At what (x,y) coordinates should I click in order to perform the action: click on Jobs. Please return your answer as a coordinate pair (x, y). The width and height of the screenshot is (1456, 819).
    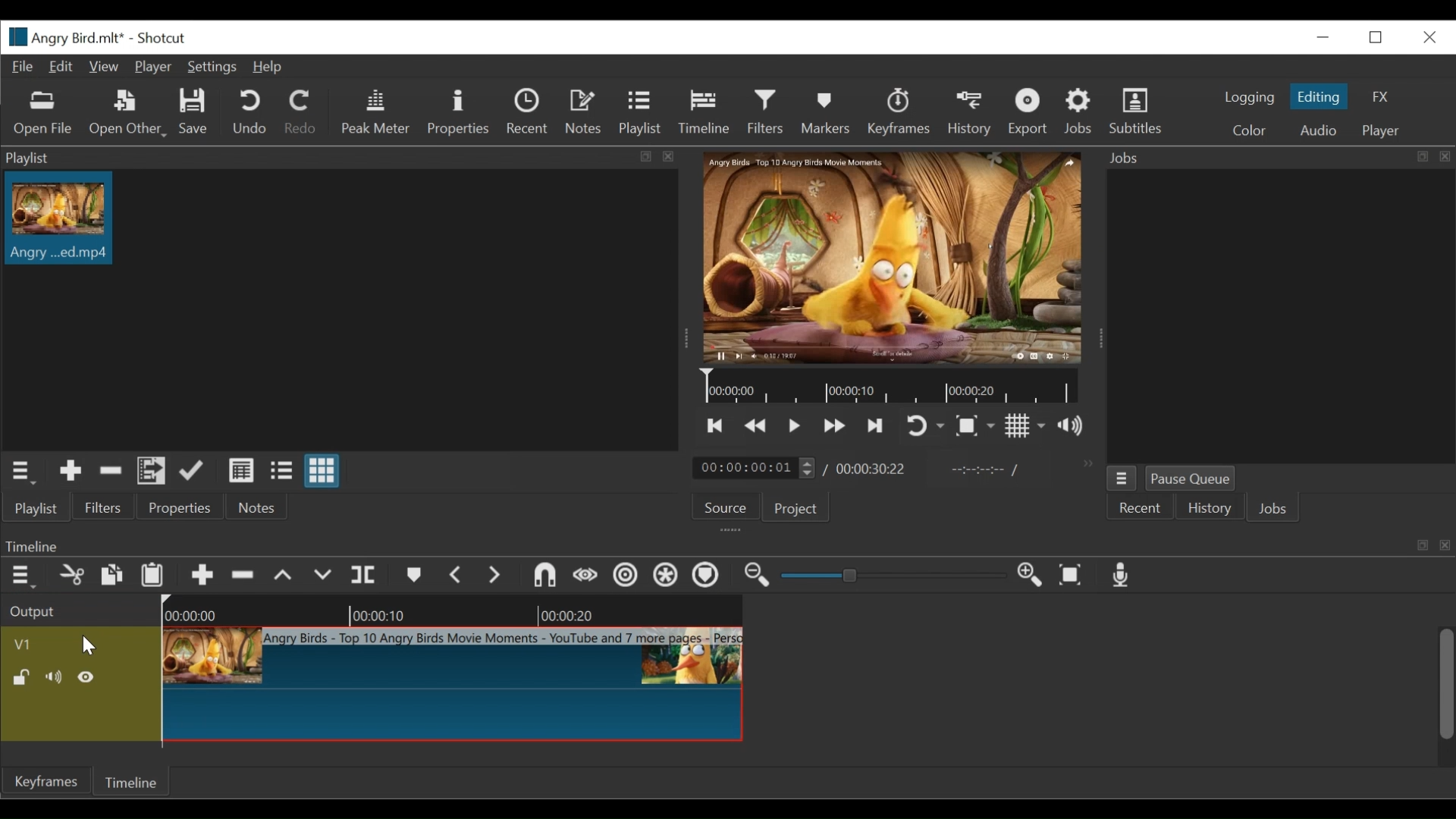
    Looking at the image, I should click on (1276, 511).